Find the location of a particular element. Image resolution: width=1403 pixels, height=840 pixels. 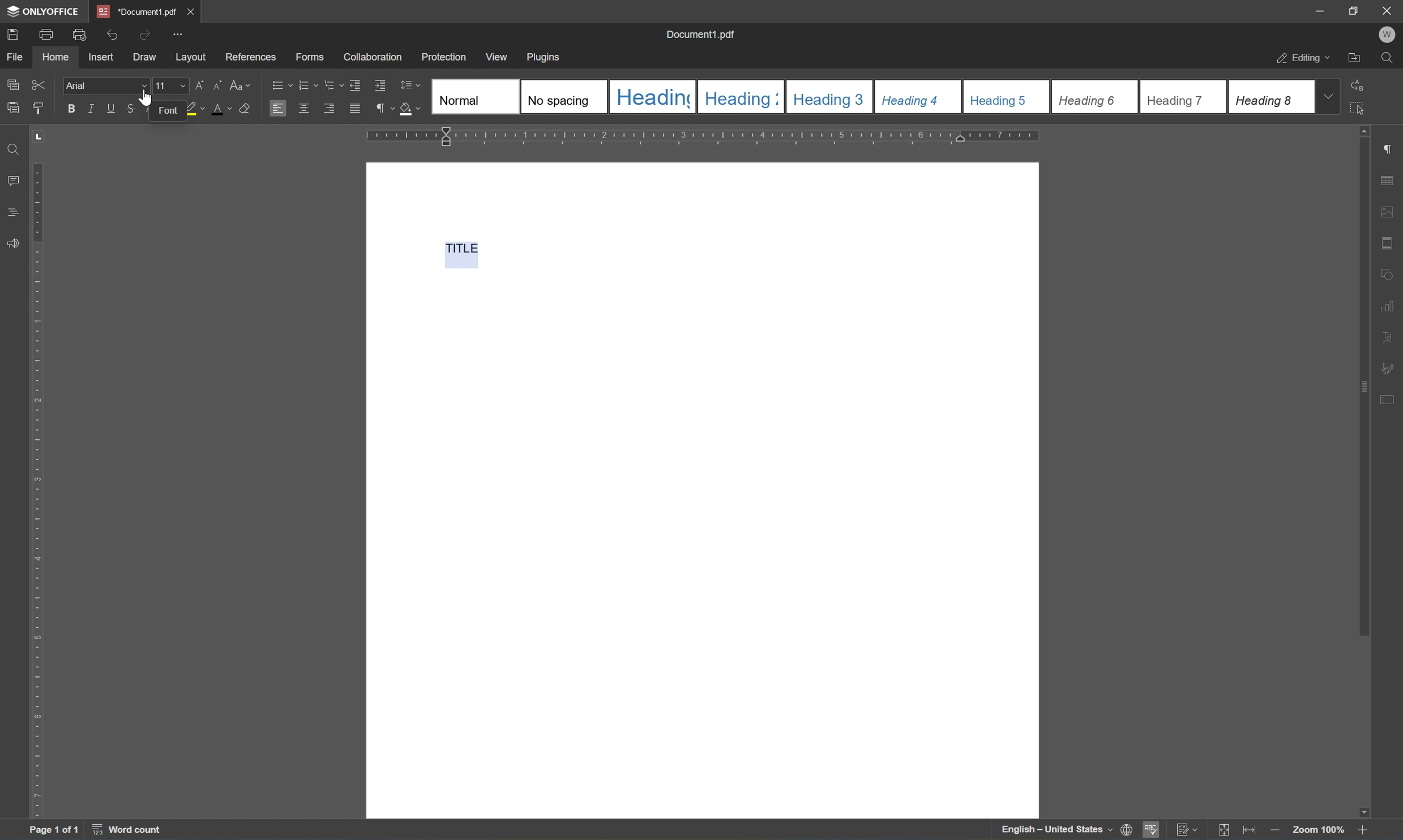

non printing characters is located at coordinates (384, 109).